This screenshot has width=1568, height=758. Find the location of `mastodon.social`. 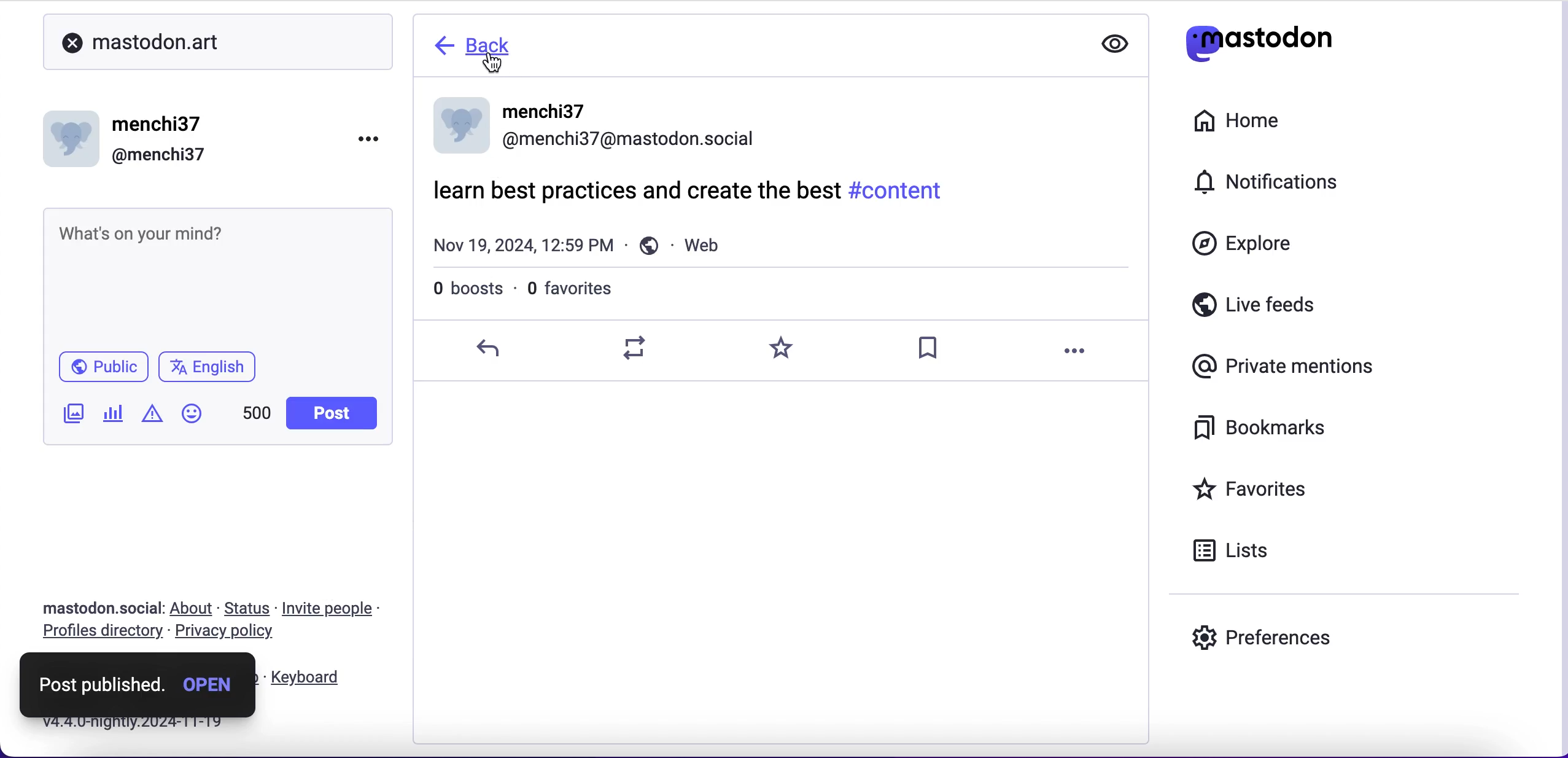

mastodon.social is located at coordinates (96, 606).